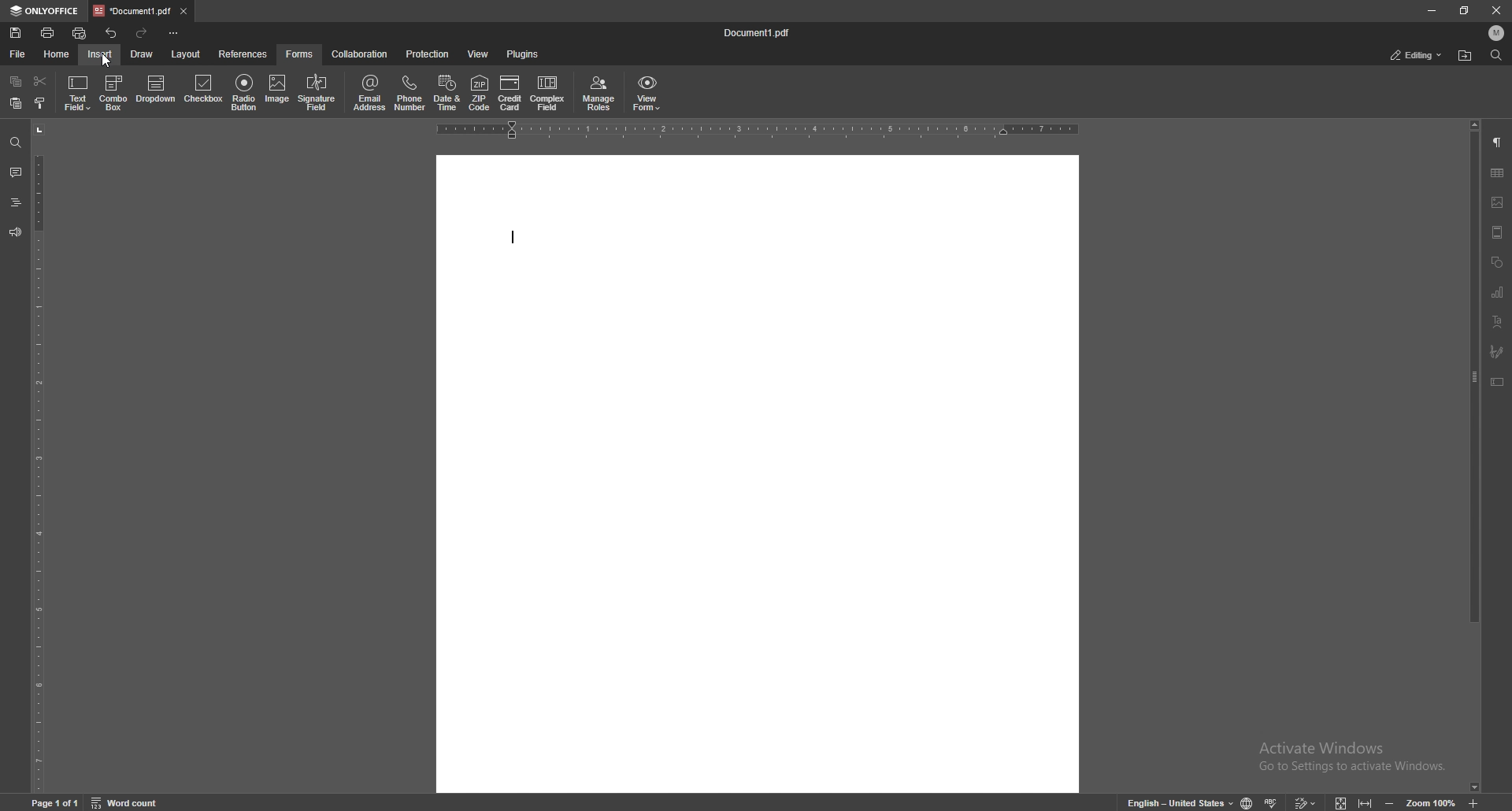 The image size is (1512, 811). I want to click on dropdown, so click(154, 89).